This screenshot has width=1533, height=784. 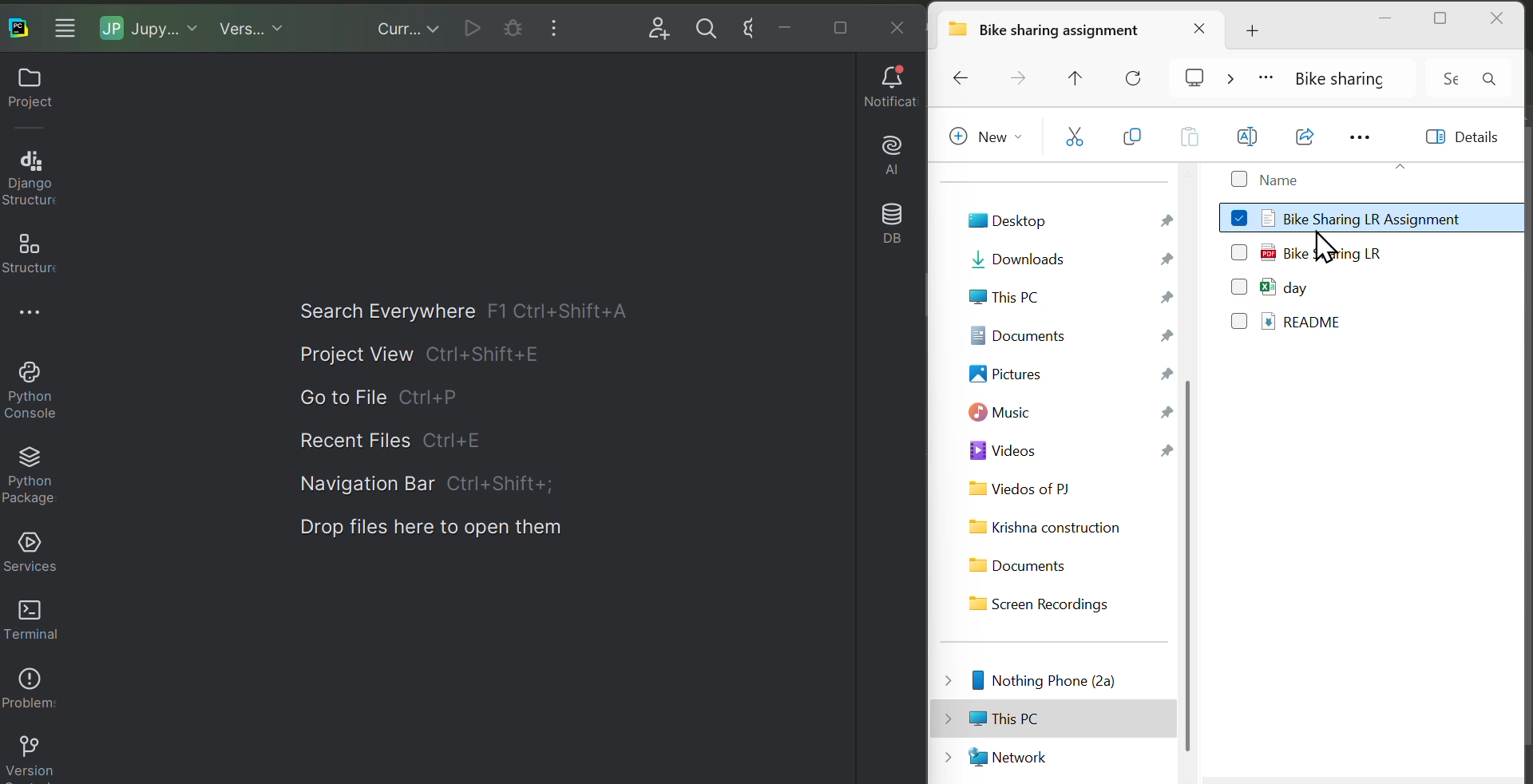 I want to click on cut, so click(x=1075, y=139).